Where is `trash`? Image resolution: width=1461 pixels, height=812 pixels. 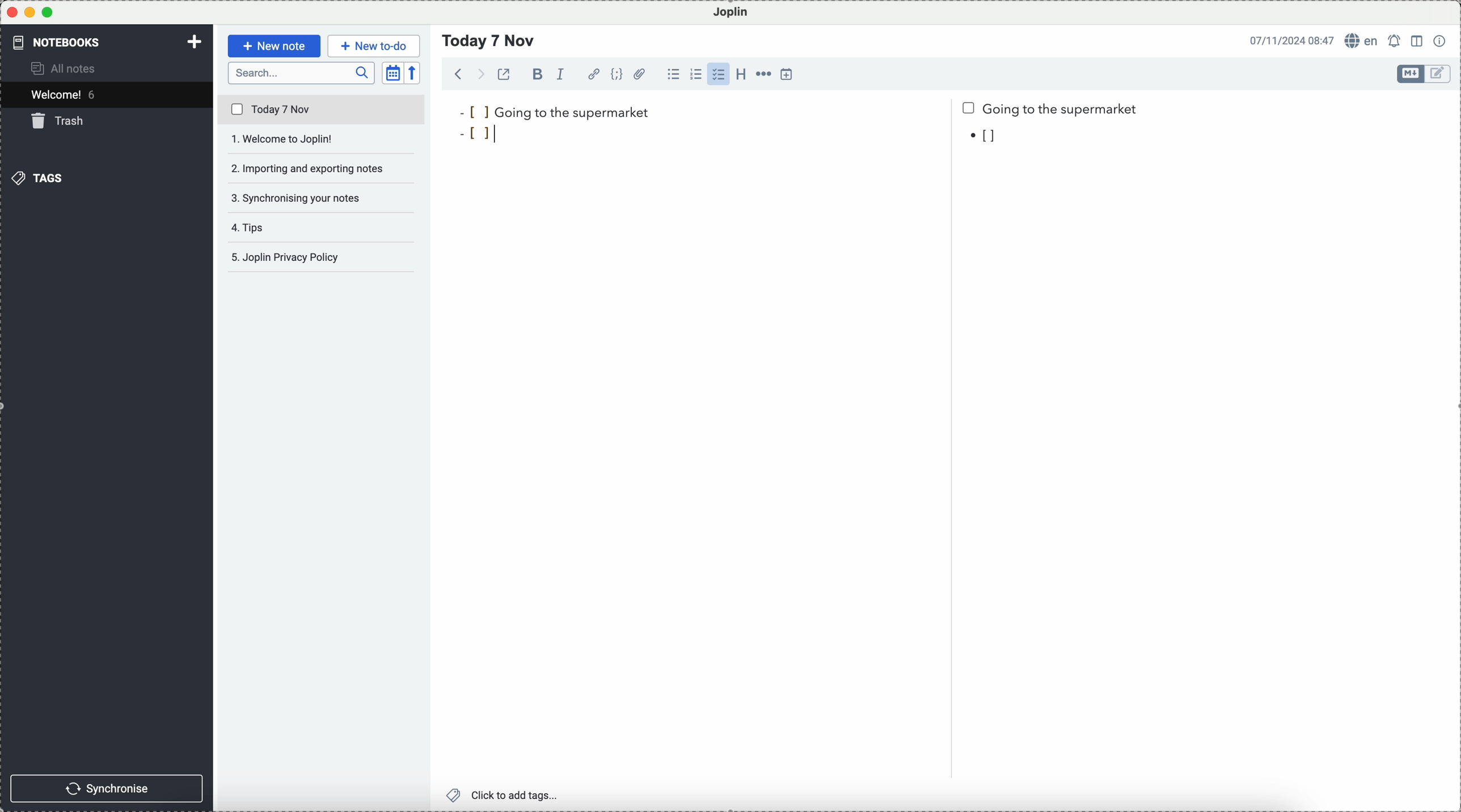 trash is located at coordinates (60, 121).